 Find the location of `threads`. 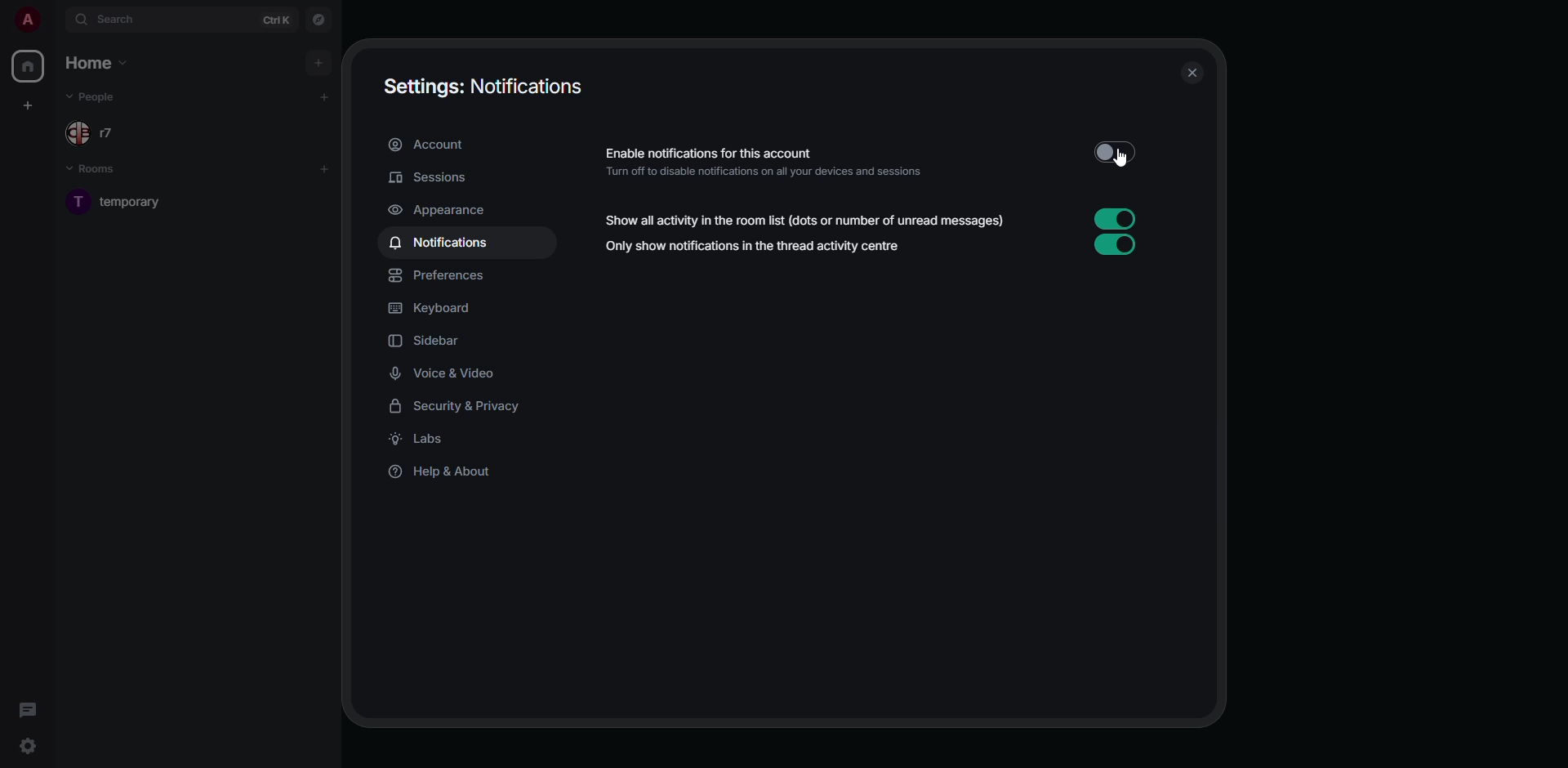

threads is located at coordinates (27, 709).